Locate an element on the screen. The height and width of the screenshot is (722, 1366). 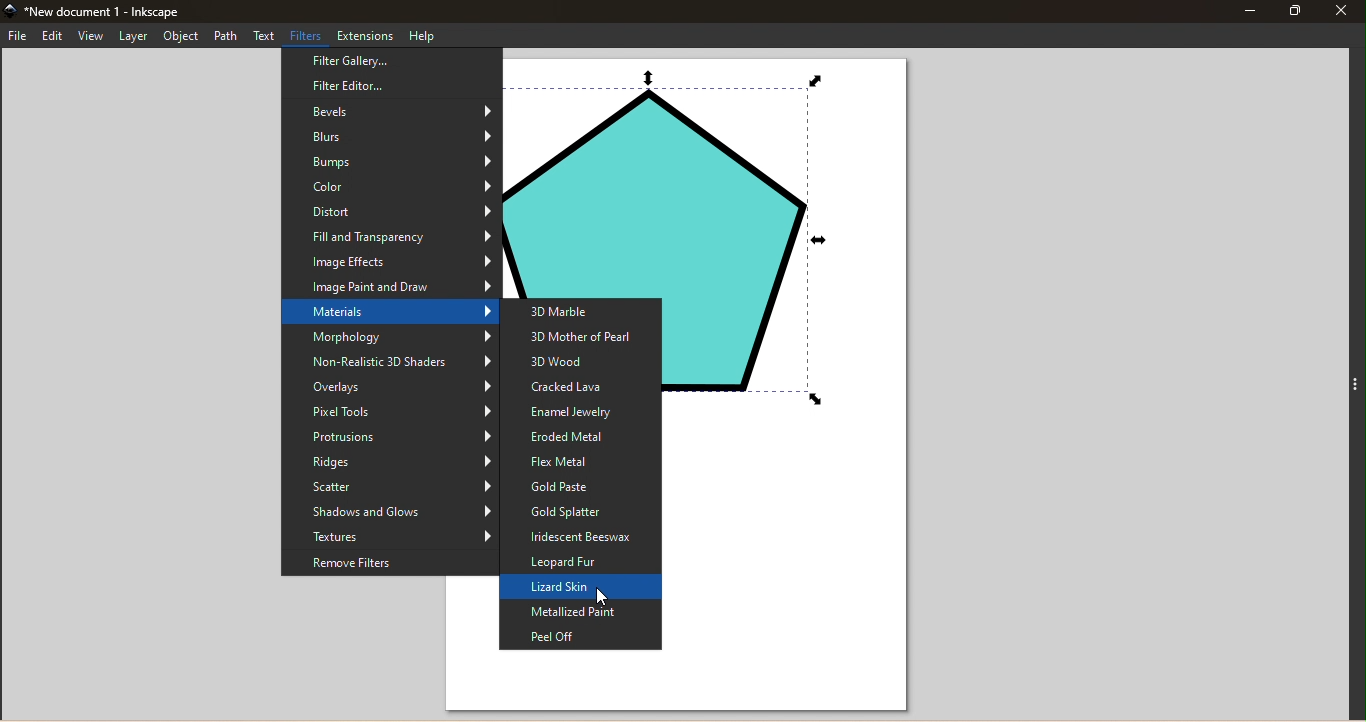
Non-Realistic 3D Shaders is located at coordinates (390, 363).